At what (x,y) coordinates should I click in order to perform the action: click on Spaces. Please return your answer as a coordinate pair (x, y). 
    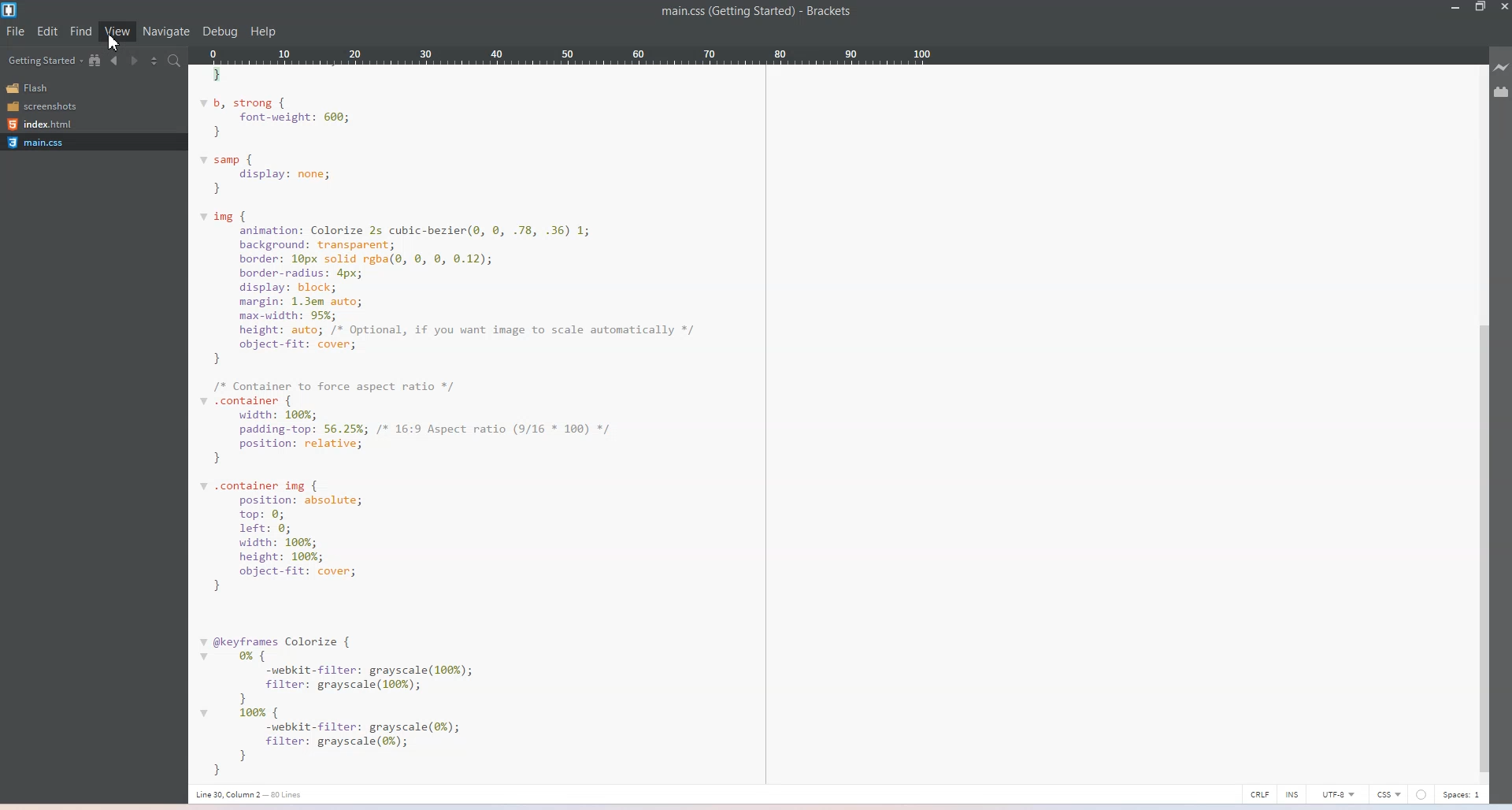
    Looking at the image, I should click on (1466, 795).